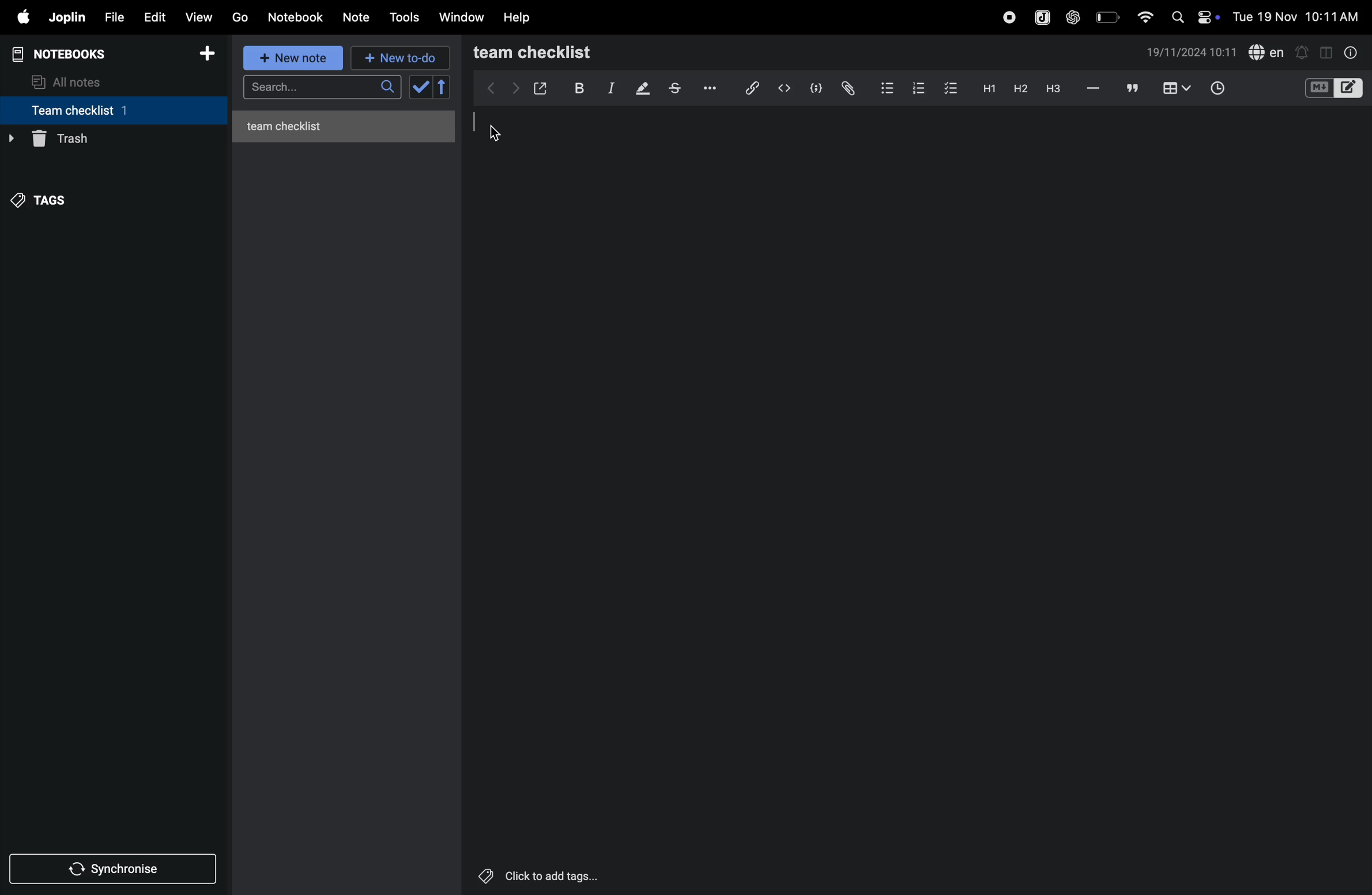  Describe the element at coordinates (398, 58) in the screenshot. I see `new to d0` at that location.